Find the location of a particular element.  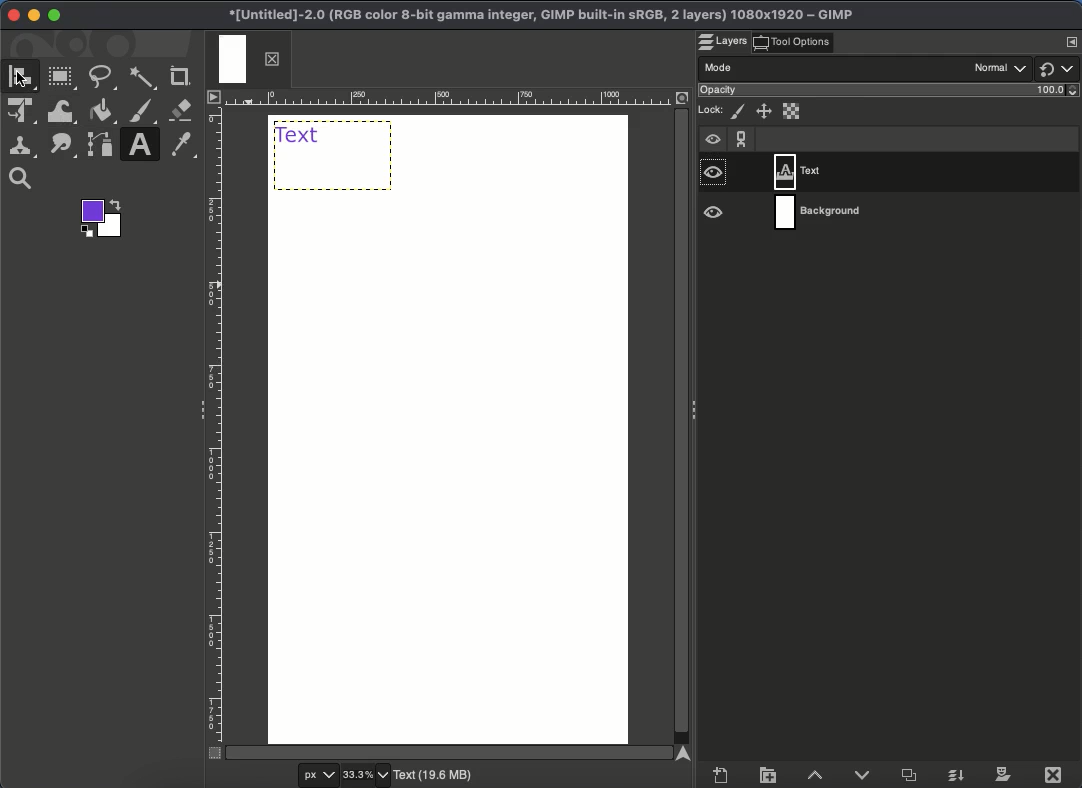

A is located at coordinates (24, 78).